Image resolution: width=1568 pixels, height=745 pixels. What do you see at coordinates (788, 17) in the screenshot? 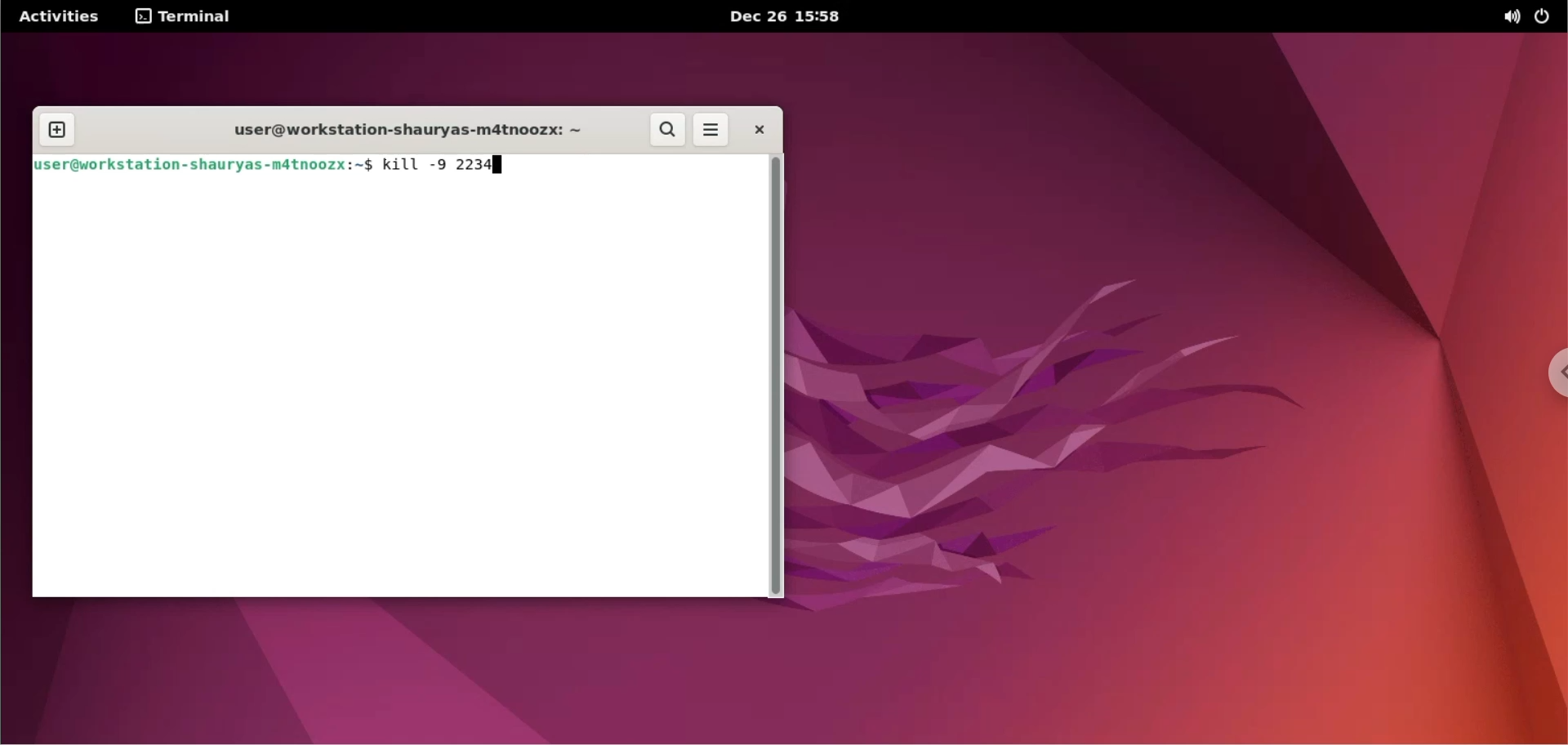
I see `Dec 26 15:58` at bounding box center [788, 17].